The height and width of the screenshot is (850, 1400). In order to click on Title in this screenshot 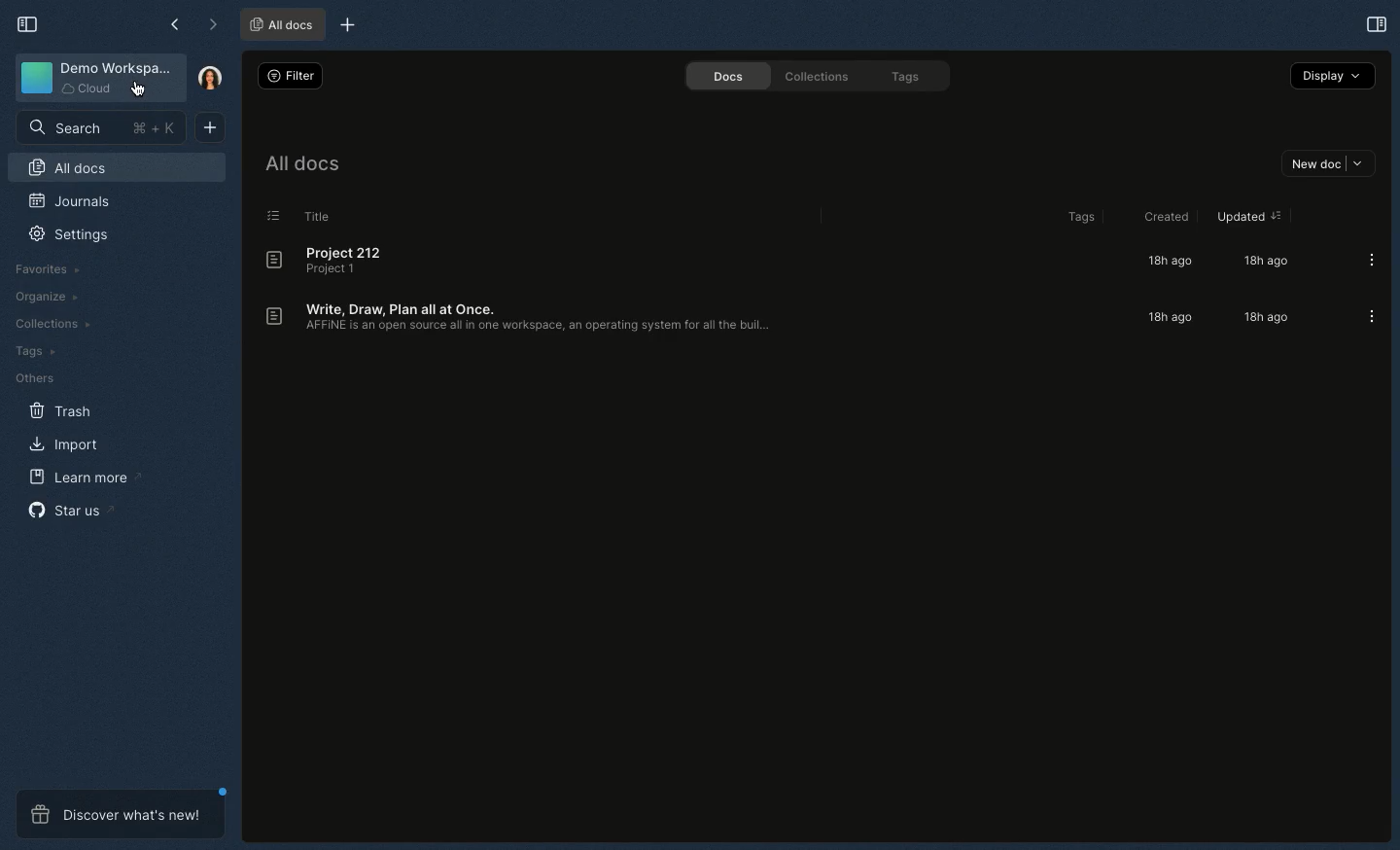, I will do `click(314, 217)`.